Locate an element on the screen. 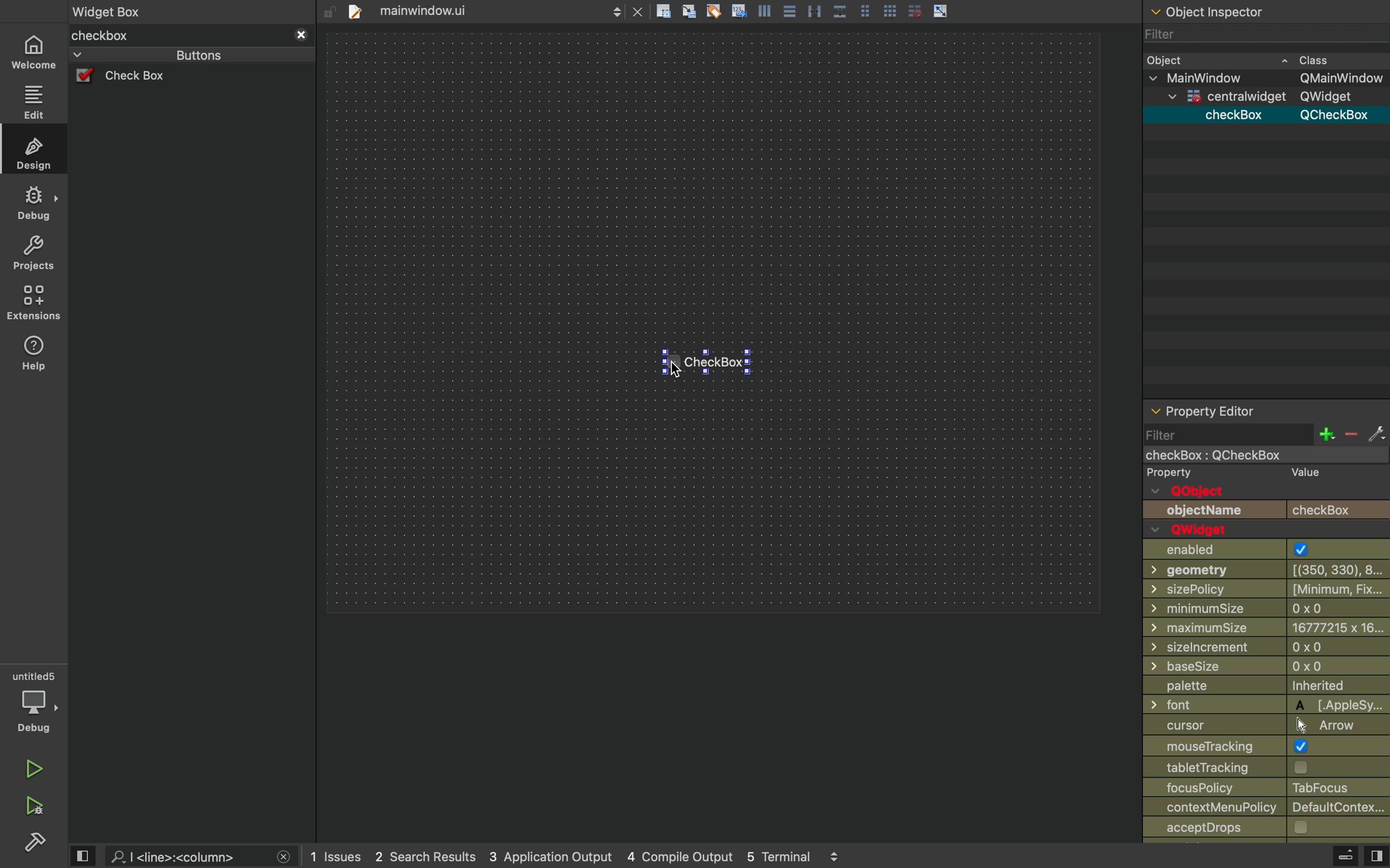  widget is located at coordinates (1260, 96).